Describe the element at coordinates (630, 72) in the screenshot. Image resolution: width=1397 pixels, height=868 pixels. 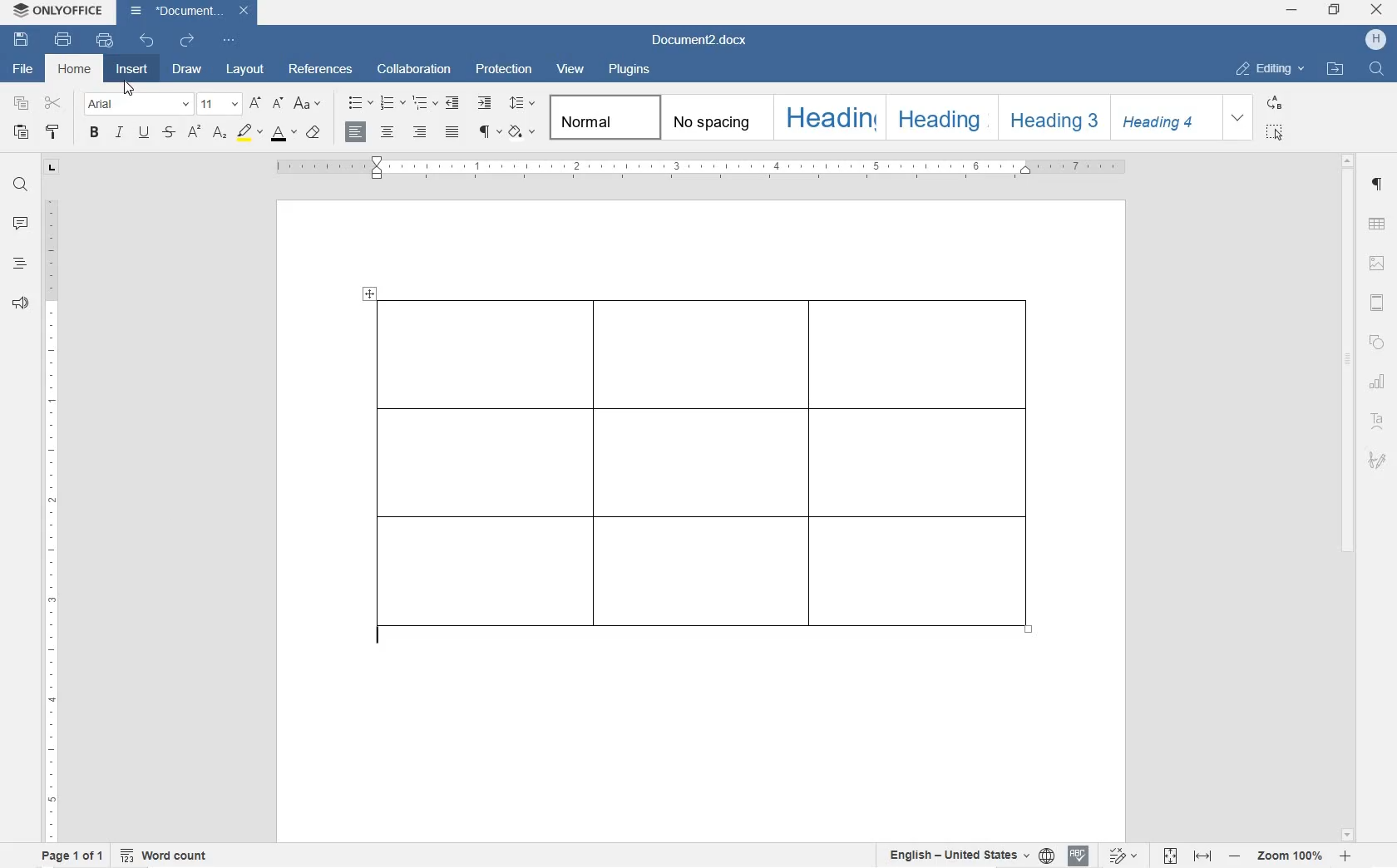
I see `plugins` at that location.